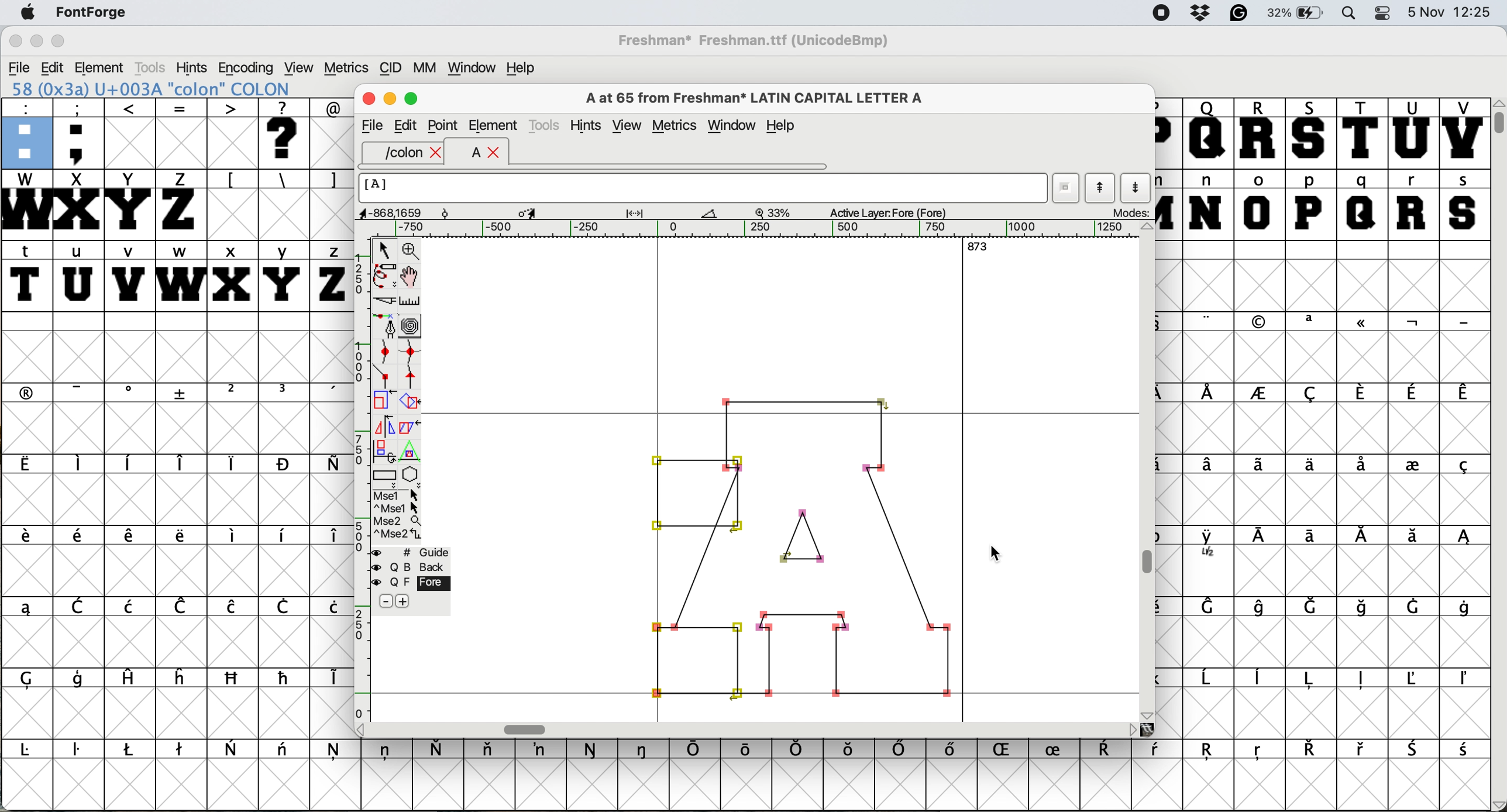 The width and height of the screenshot is (1507, 812). Describe the element at coordinates (1110, 750) in the screenshot. I see `symbol` at that location.